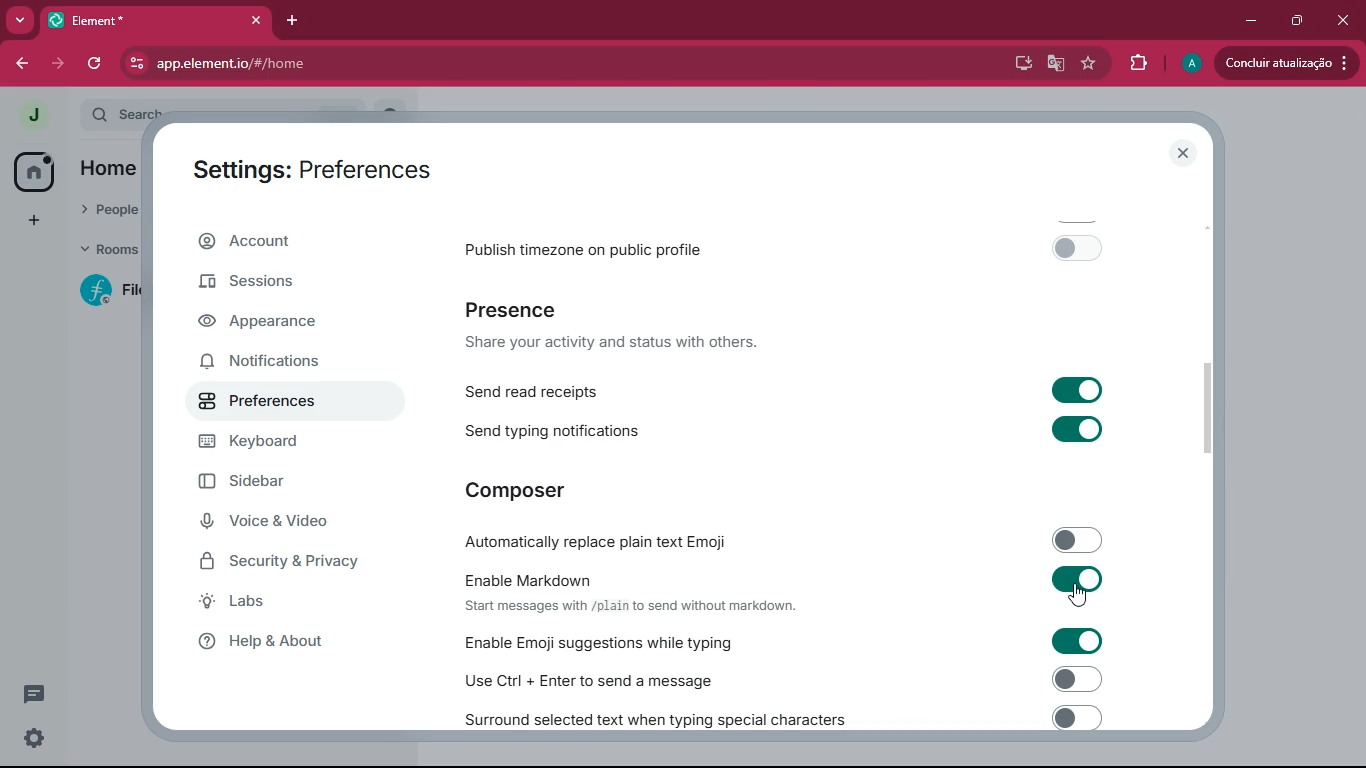 This screenshot has height=768, width=1366. I want to click on sessions, so click(254, 288).